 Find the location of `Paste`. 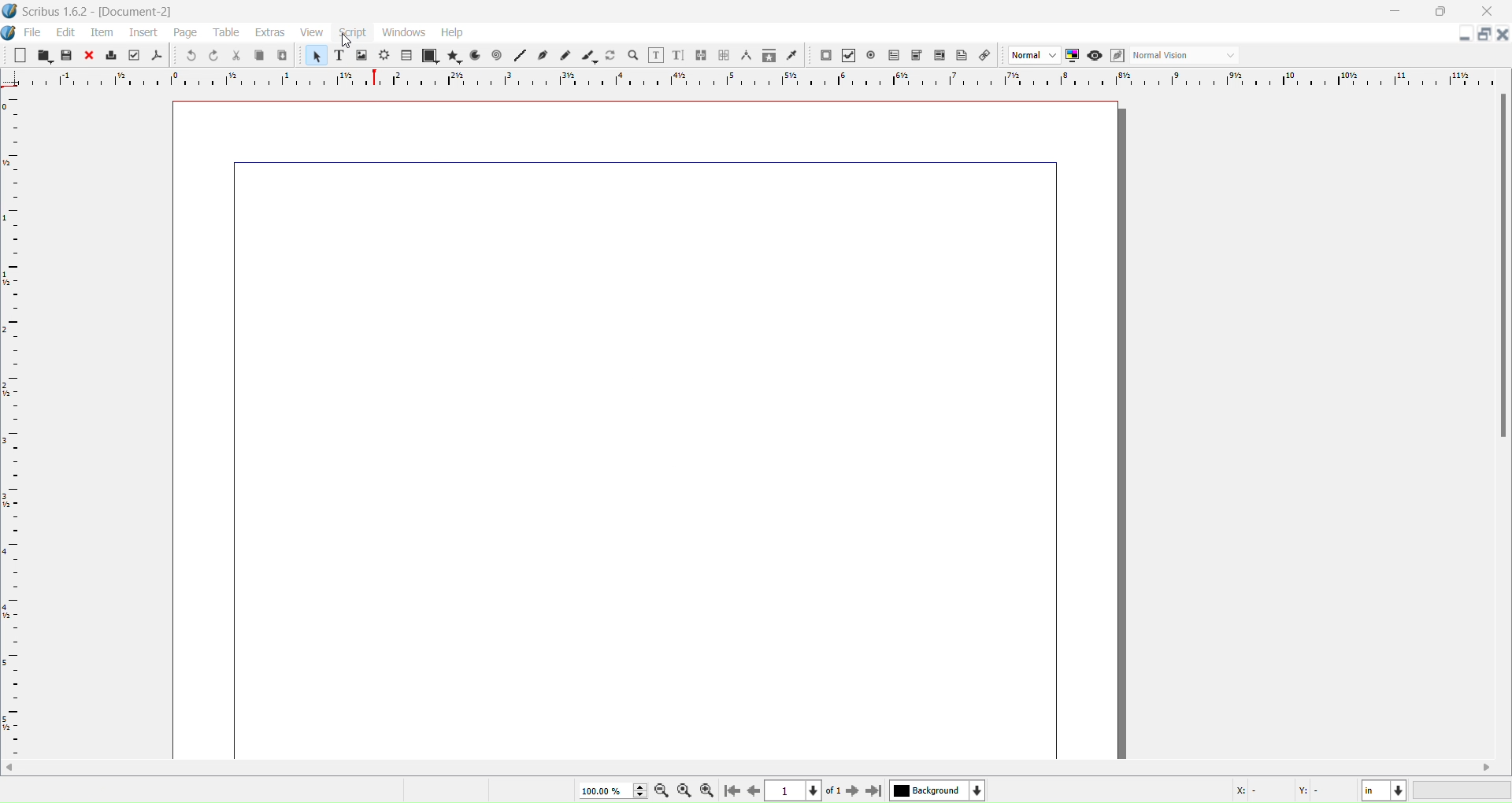

Paste is located at coordinates (283, 56).